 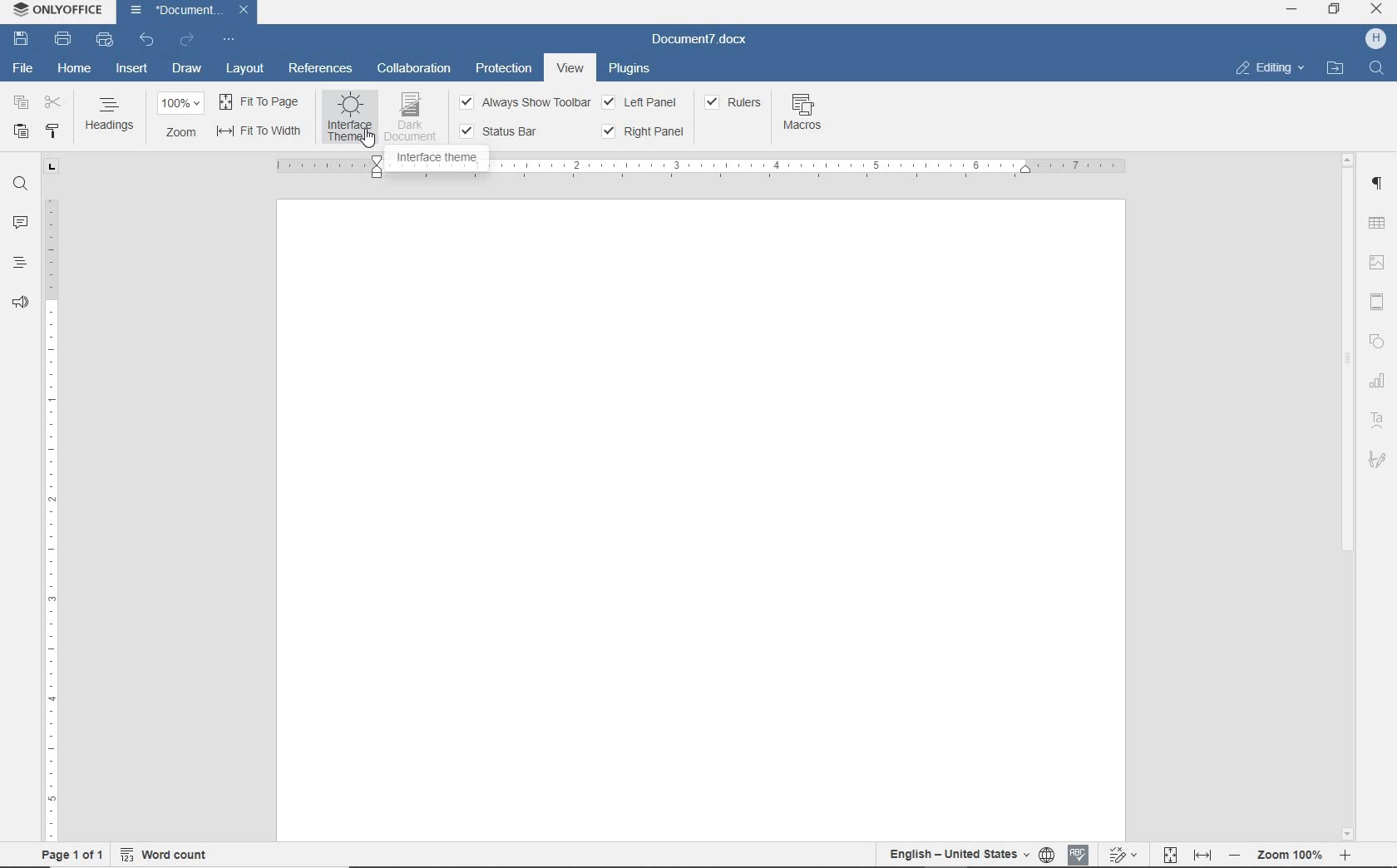 What do you see at coordinates (570, 70) in the screenshot?
I see `VIEW` at bounding box center [570, 70].